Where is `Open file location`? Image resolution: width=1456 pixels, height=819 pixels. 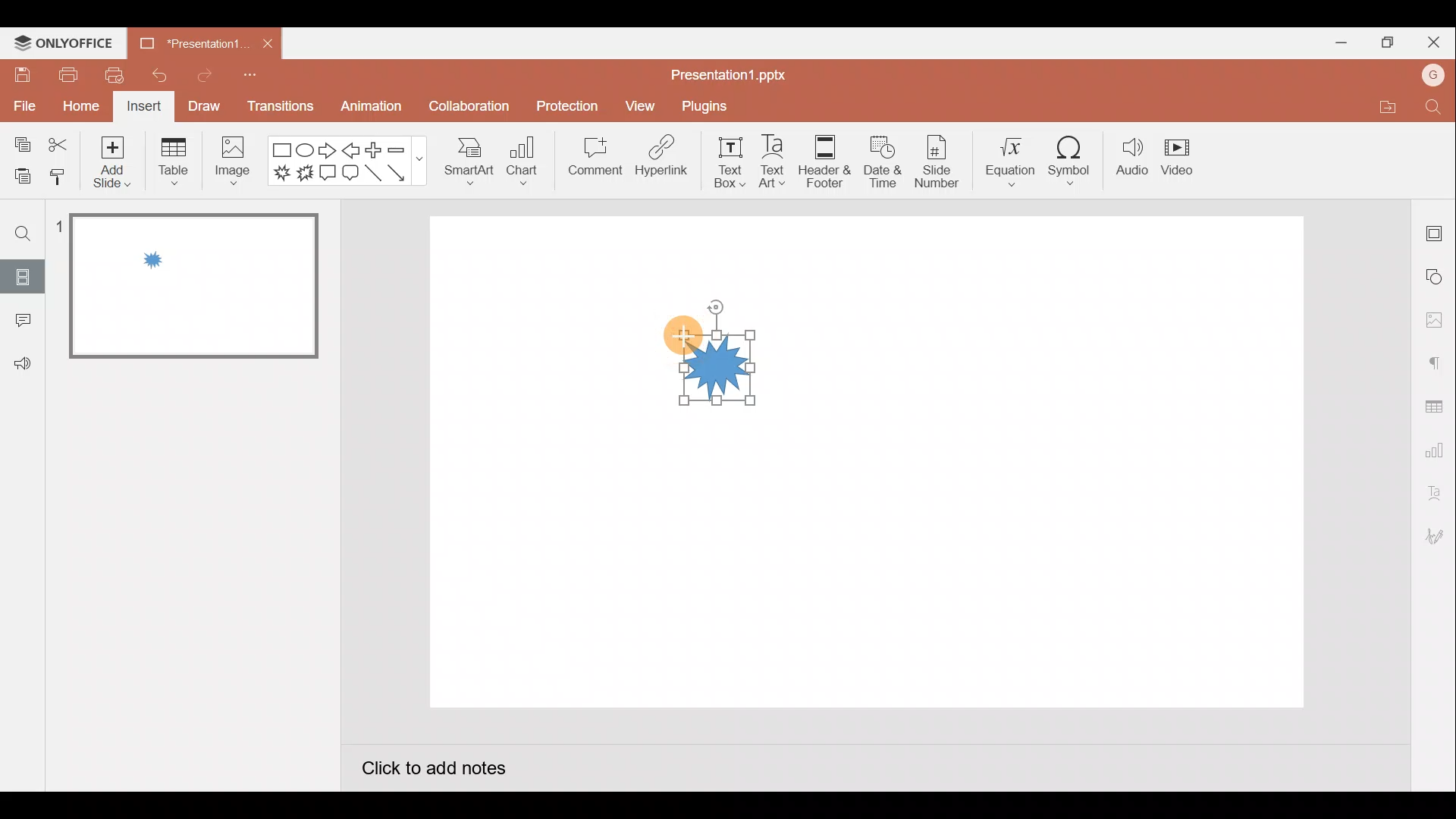 Open file location is located at coordinates (1379, 107).